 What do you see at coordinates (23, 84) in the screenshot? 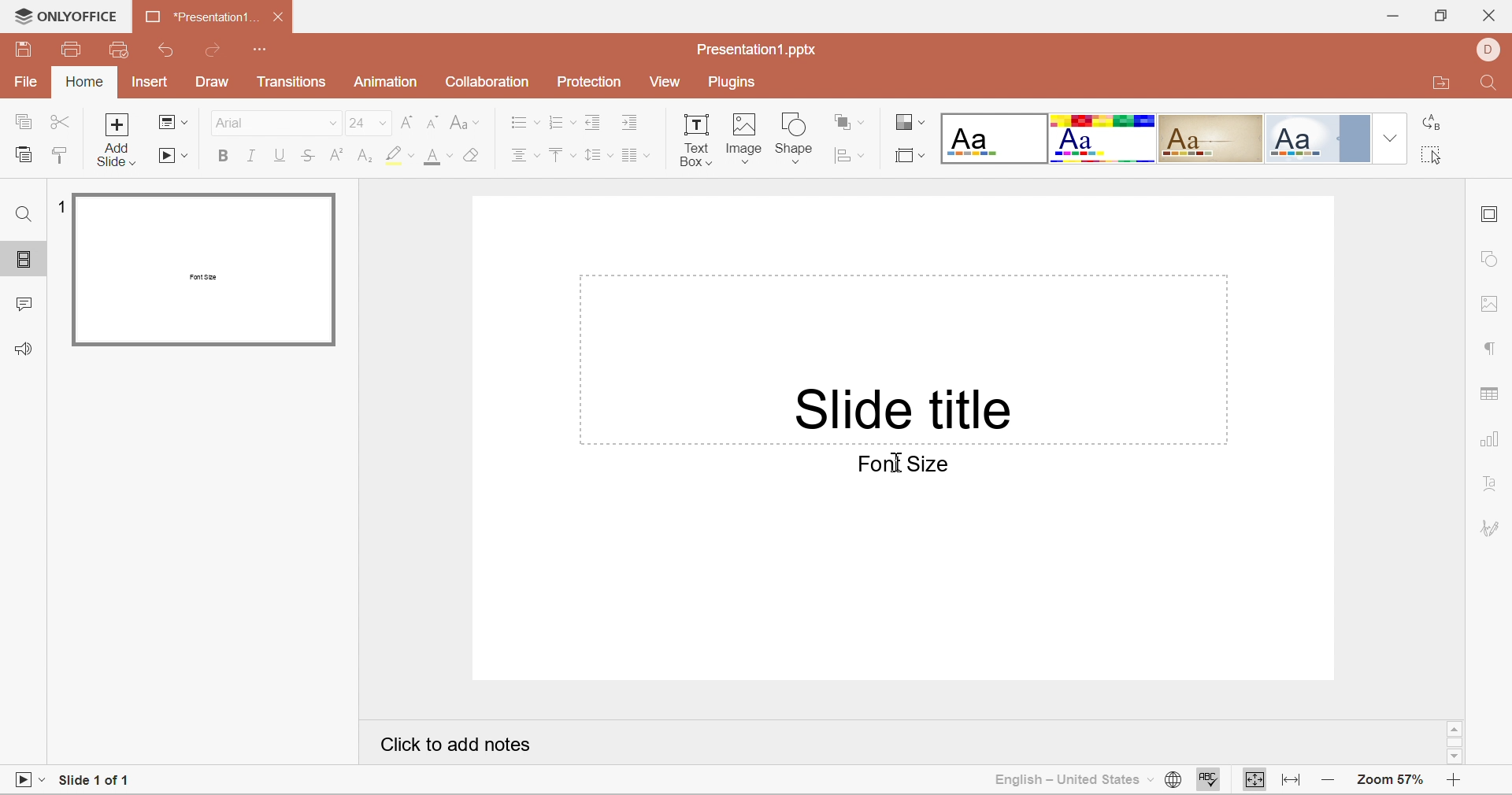
I see `File` at bounding box center [23, 84].